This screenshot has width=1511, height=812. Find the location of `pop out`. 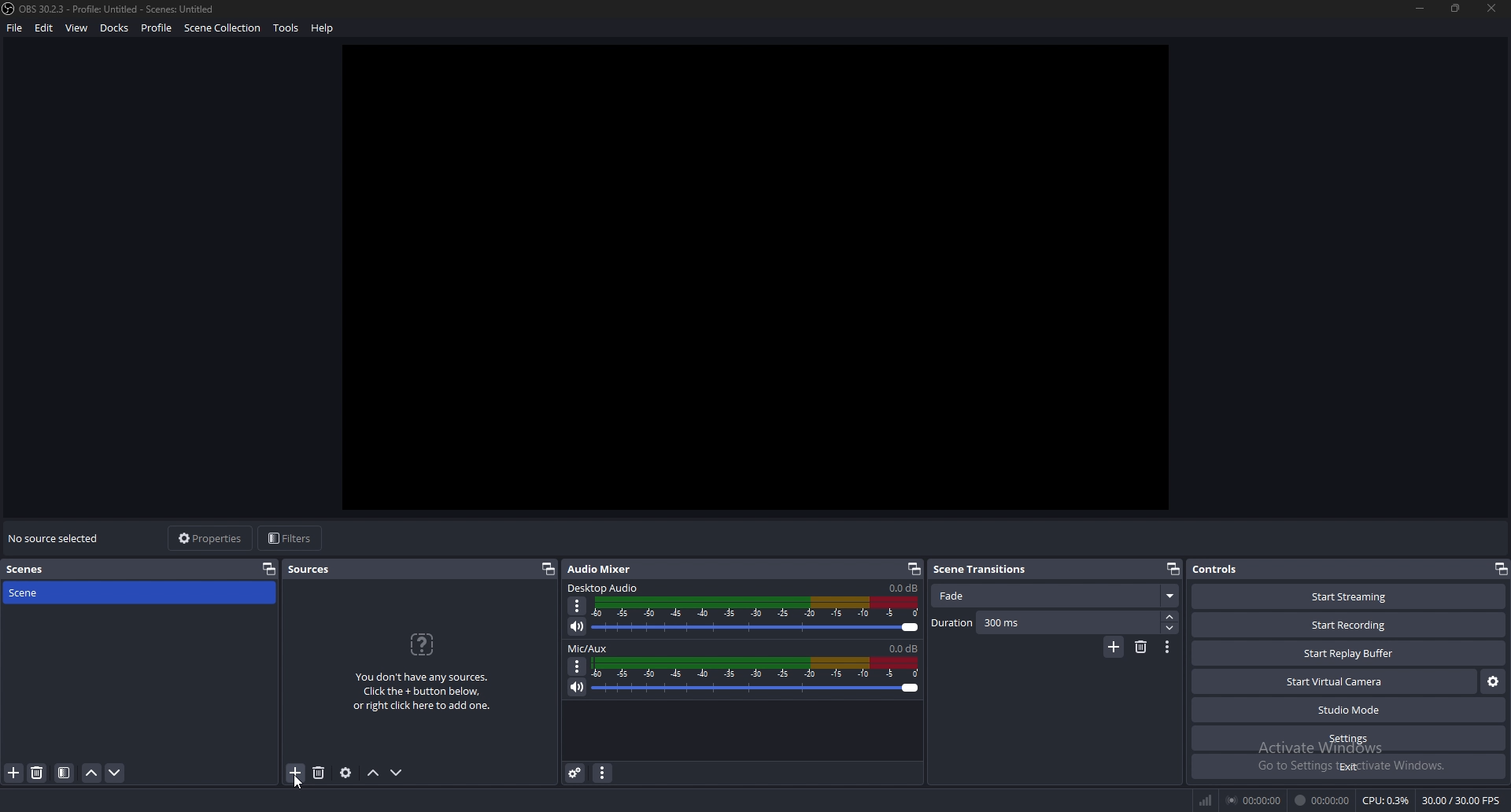

pop out is located at coordinates (1500, 569).